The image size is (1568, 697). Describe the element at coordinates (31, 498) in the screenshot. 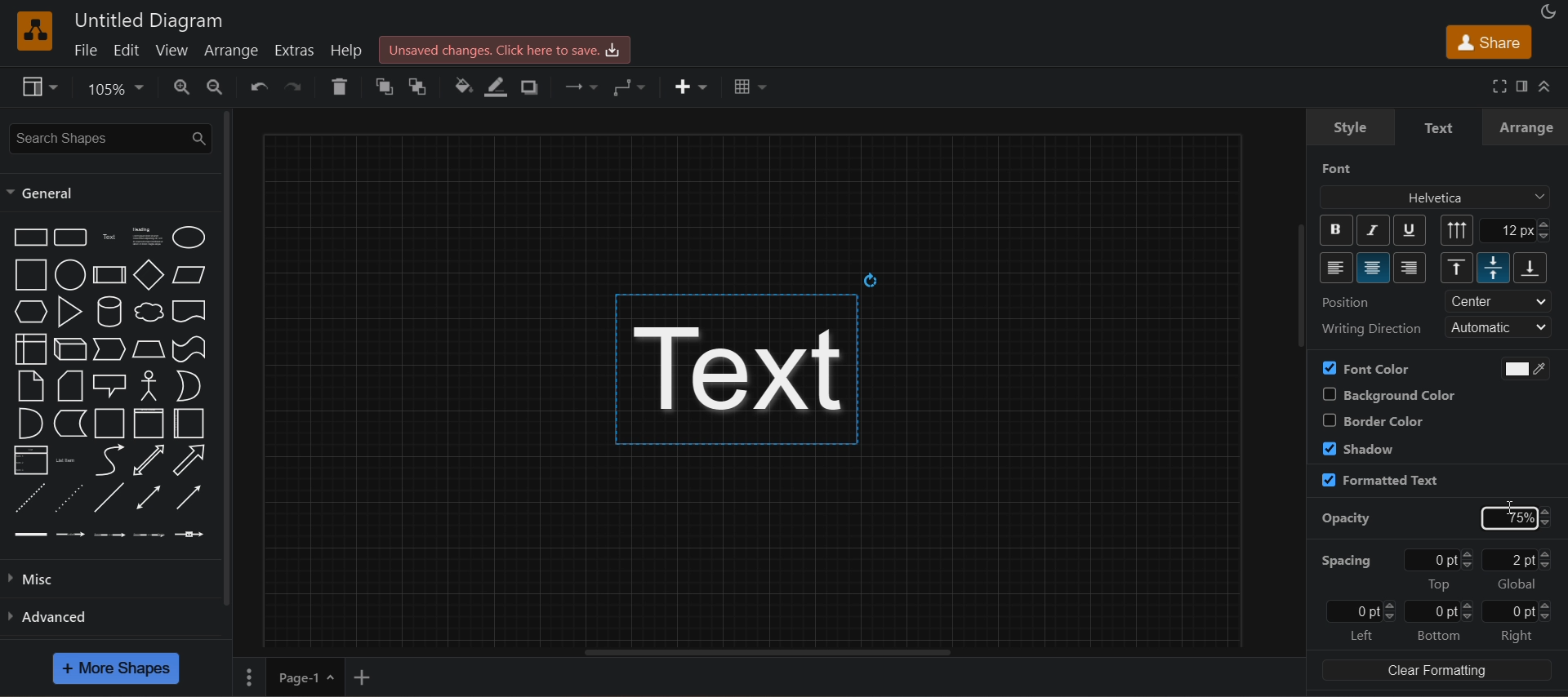

I see `dashed line` at that location.